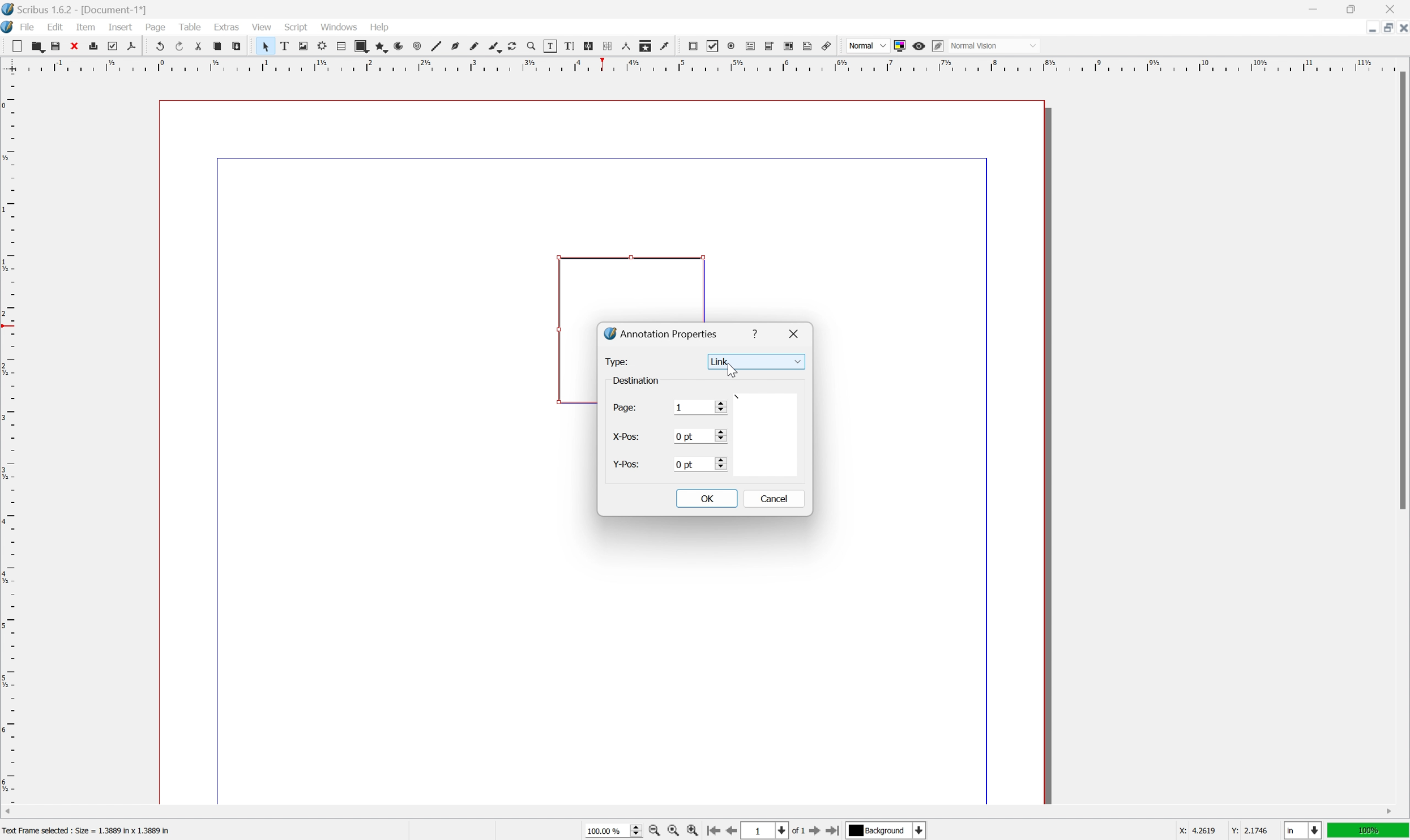 The width and height of the screenshot is (1410, 840). I want to click on zoom to 100%, so click(673, 831).